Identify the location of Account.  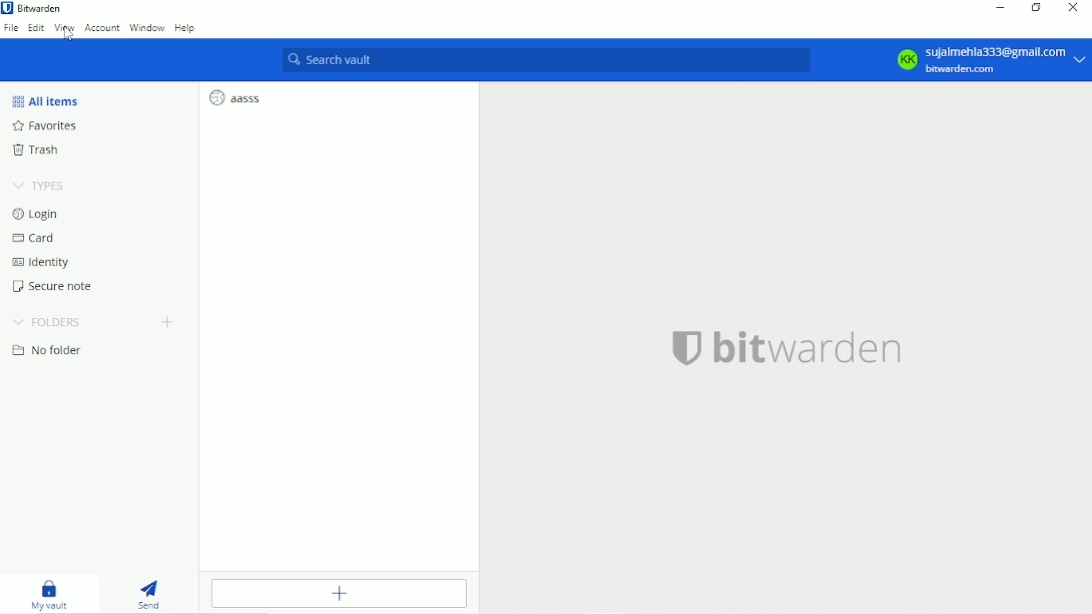
(989, 61).